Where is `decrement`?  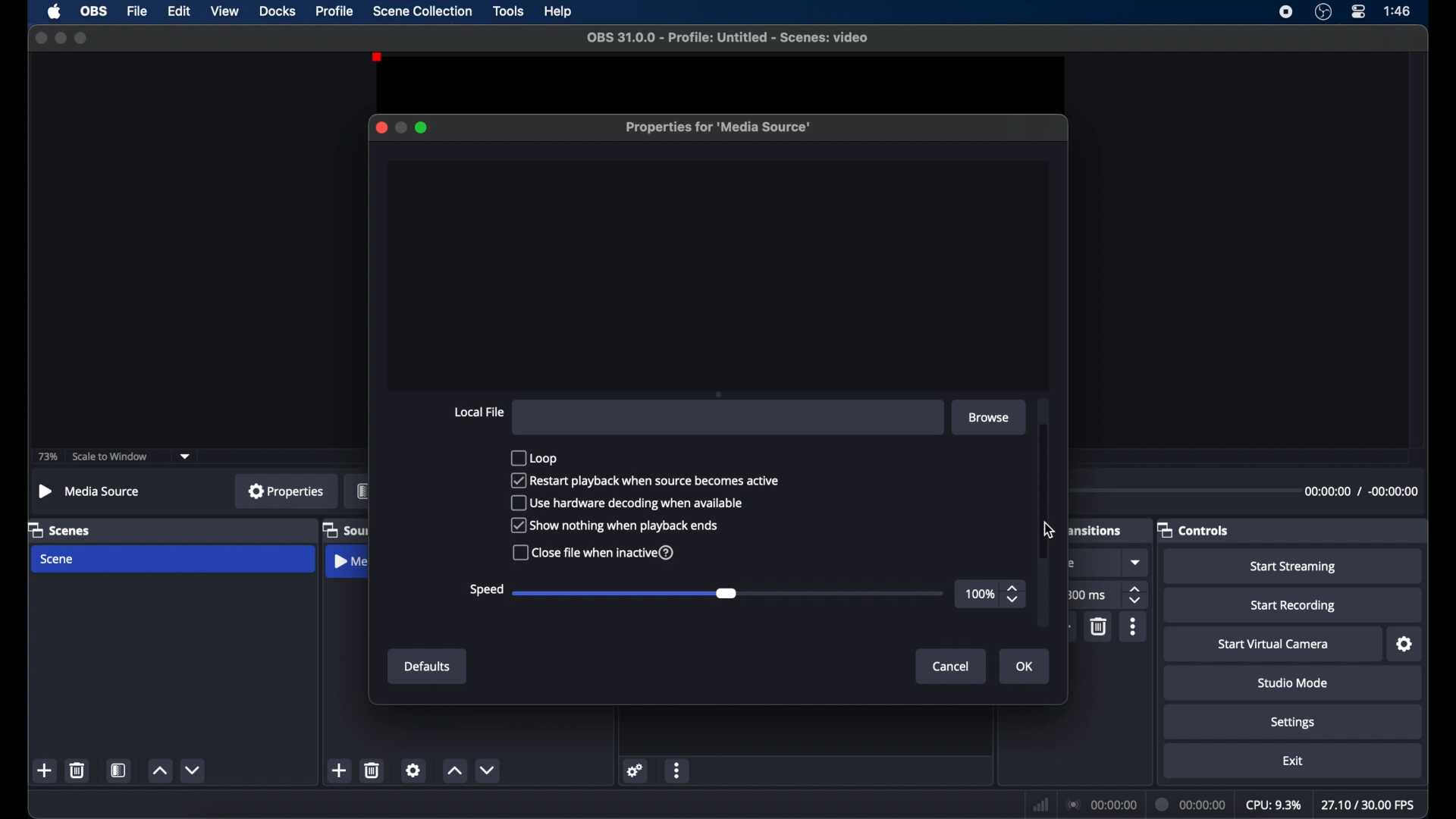 decrement is located at coordinates (488, 770).